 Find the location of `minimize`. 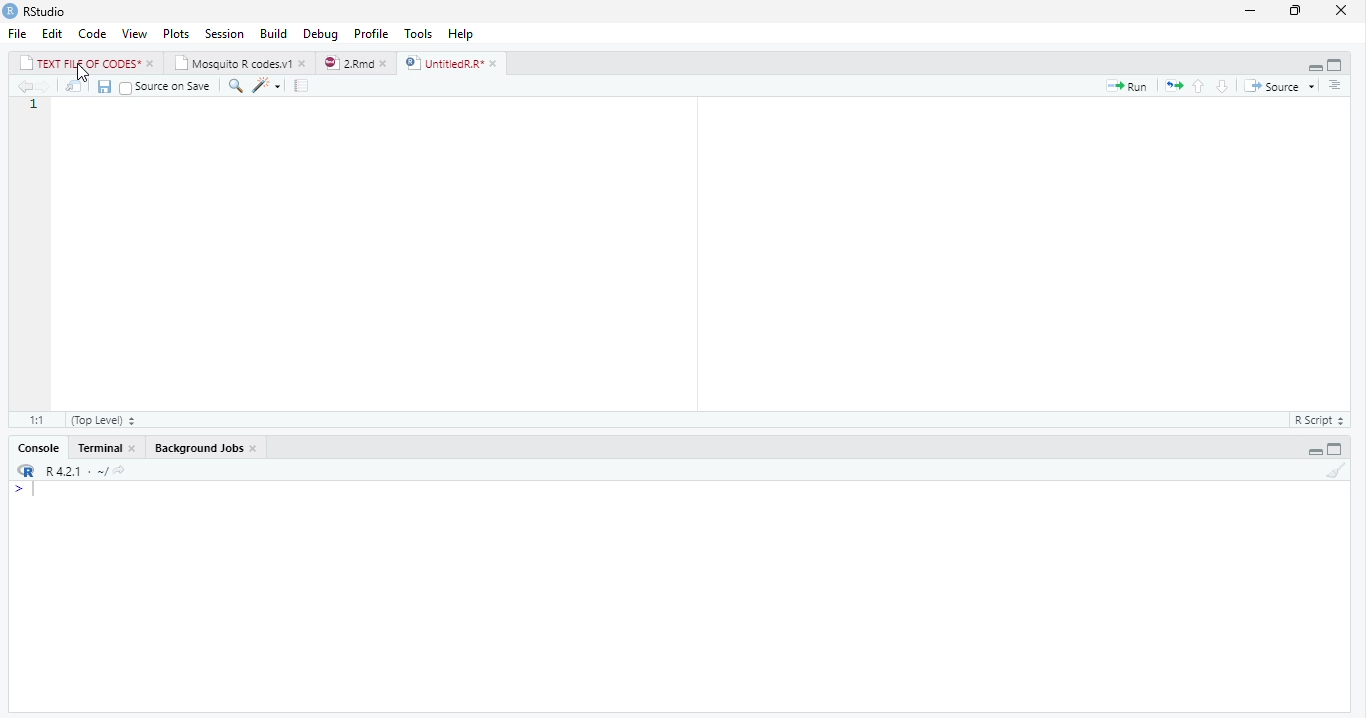

minimize is located at coordinates (1315, 66).